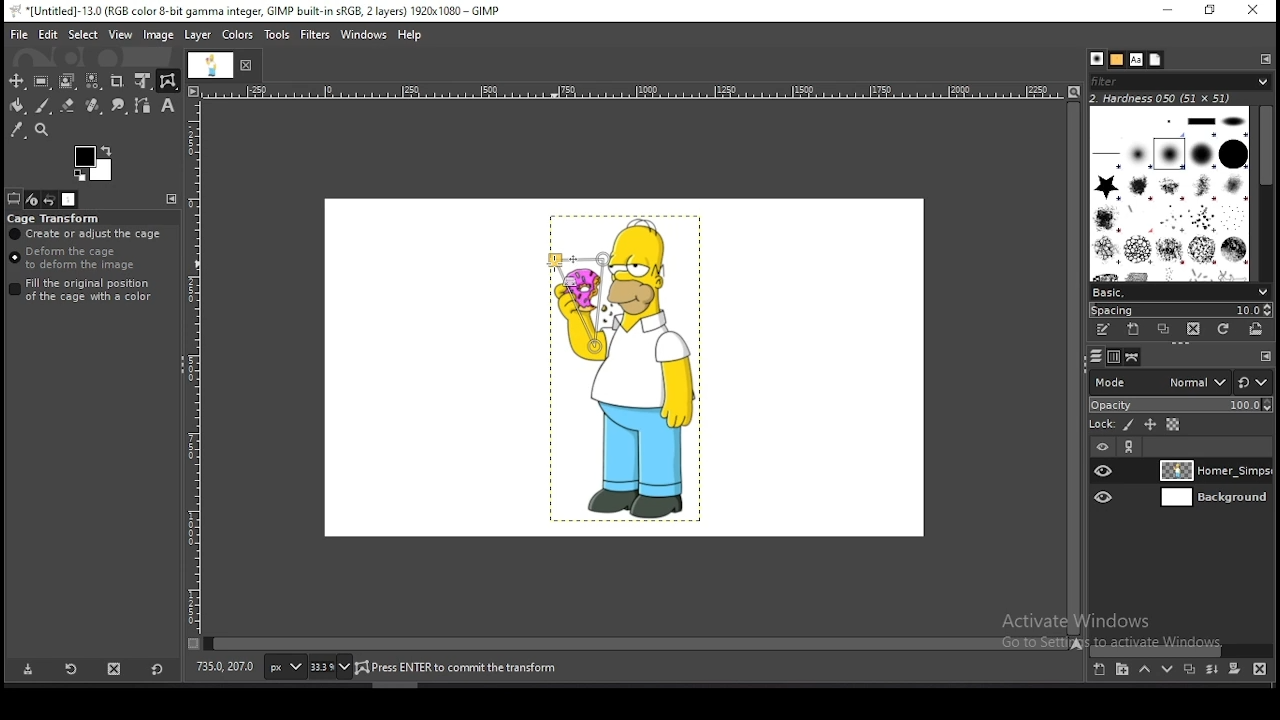  Describe the element at coordinates (1181, 290) in the screenshot. I see `brush presets` at that location.